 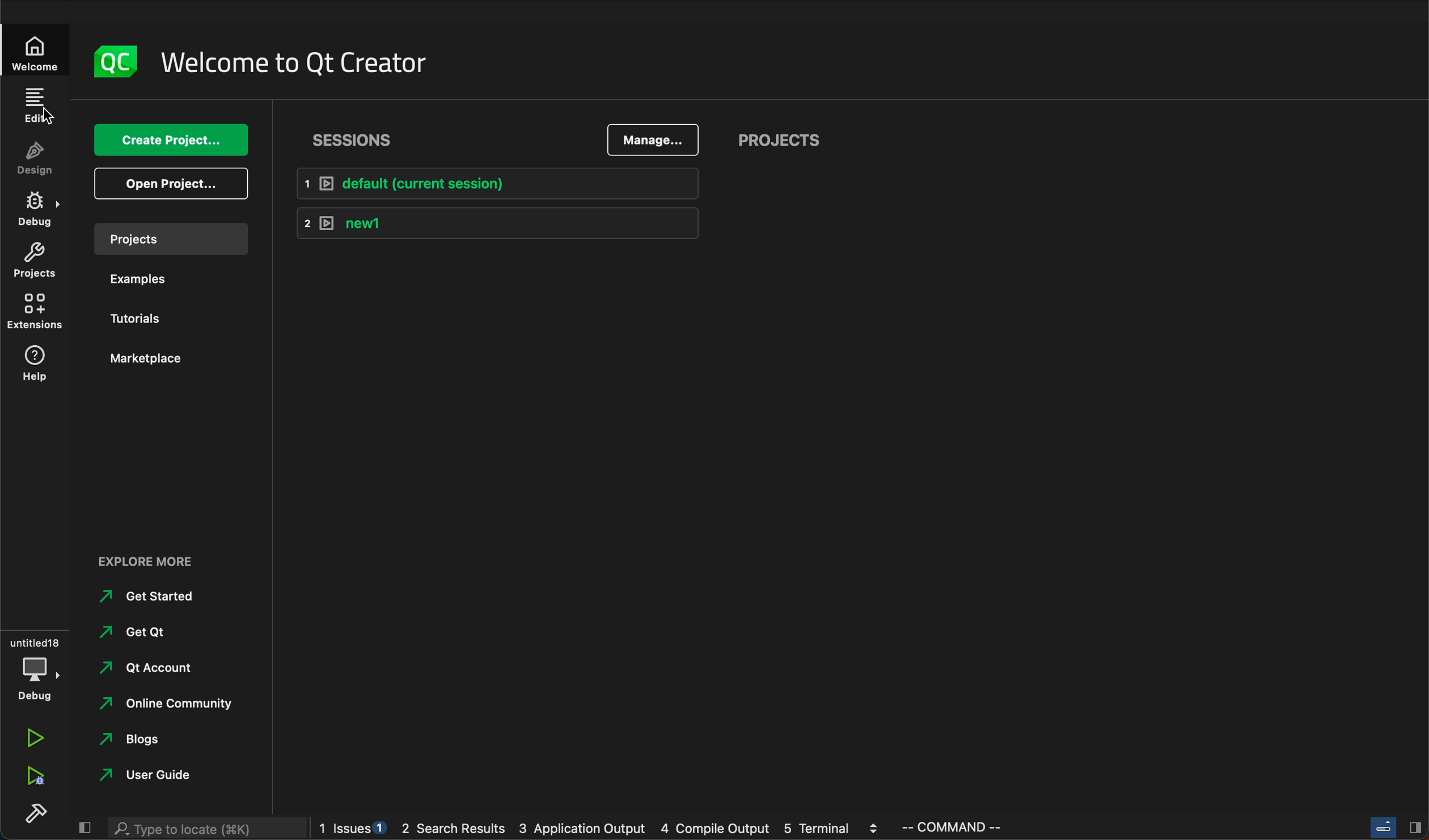 I want to click on close slide cursor, so click(x=1392, y=828).